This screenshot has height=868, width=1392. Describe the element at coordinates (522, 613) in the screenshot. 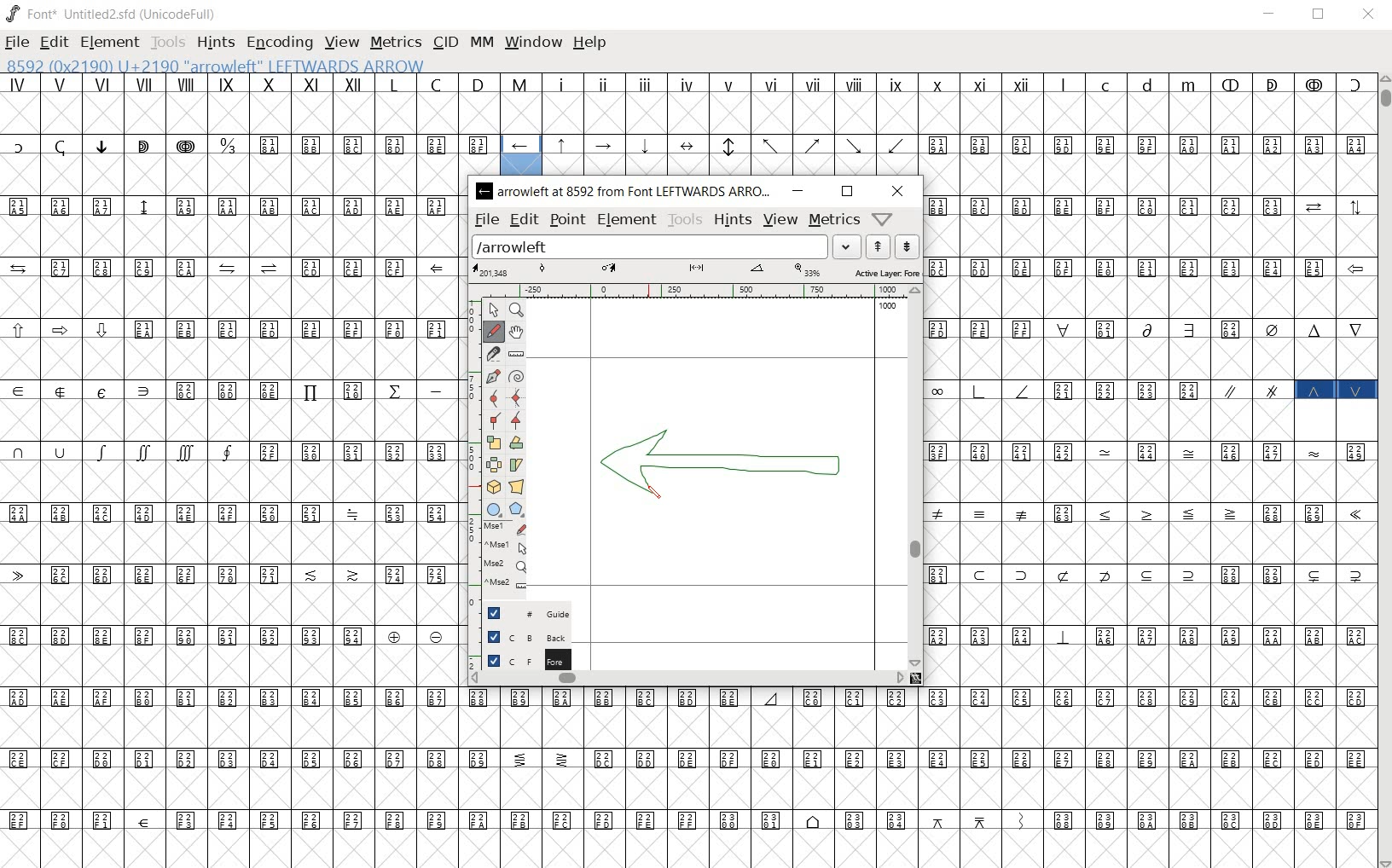

I see `Guide` at that location.